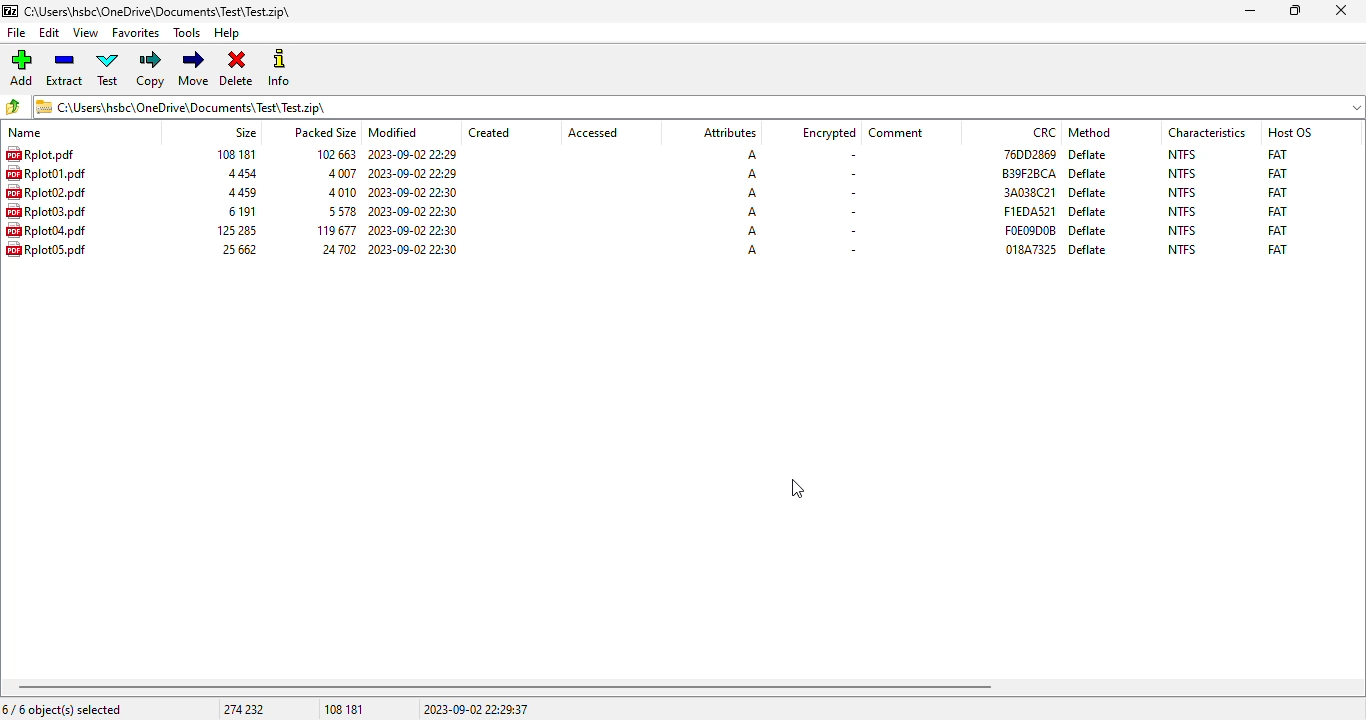 This screenshot has height=720, width=1366. Describe the element at coordinates (1182, 154) in the screenshot. I see `NTFS` at that location.